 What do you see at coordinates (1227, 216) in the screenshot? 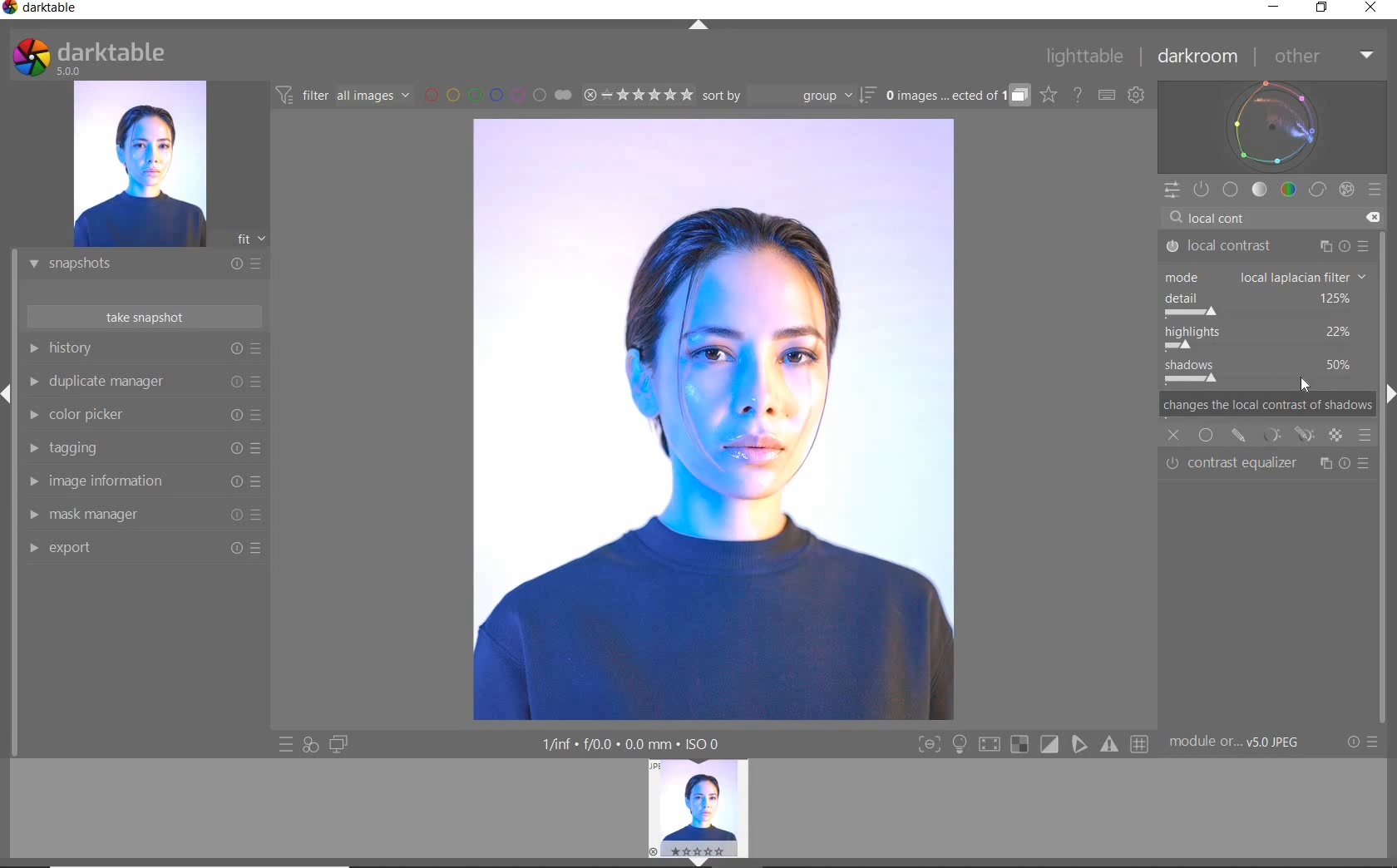
I see `INPUT VALUE` at bounding box center [1227, 216].